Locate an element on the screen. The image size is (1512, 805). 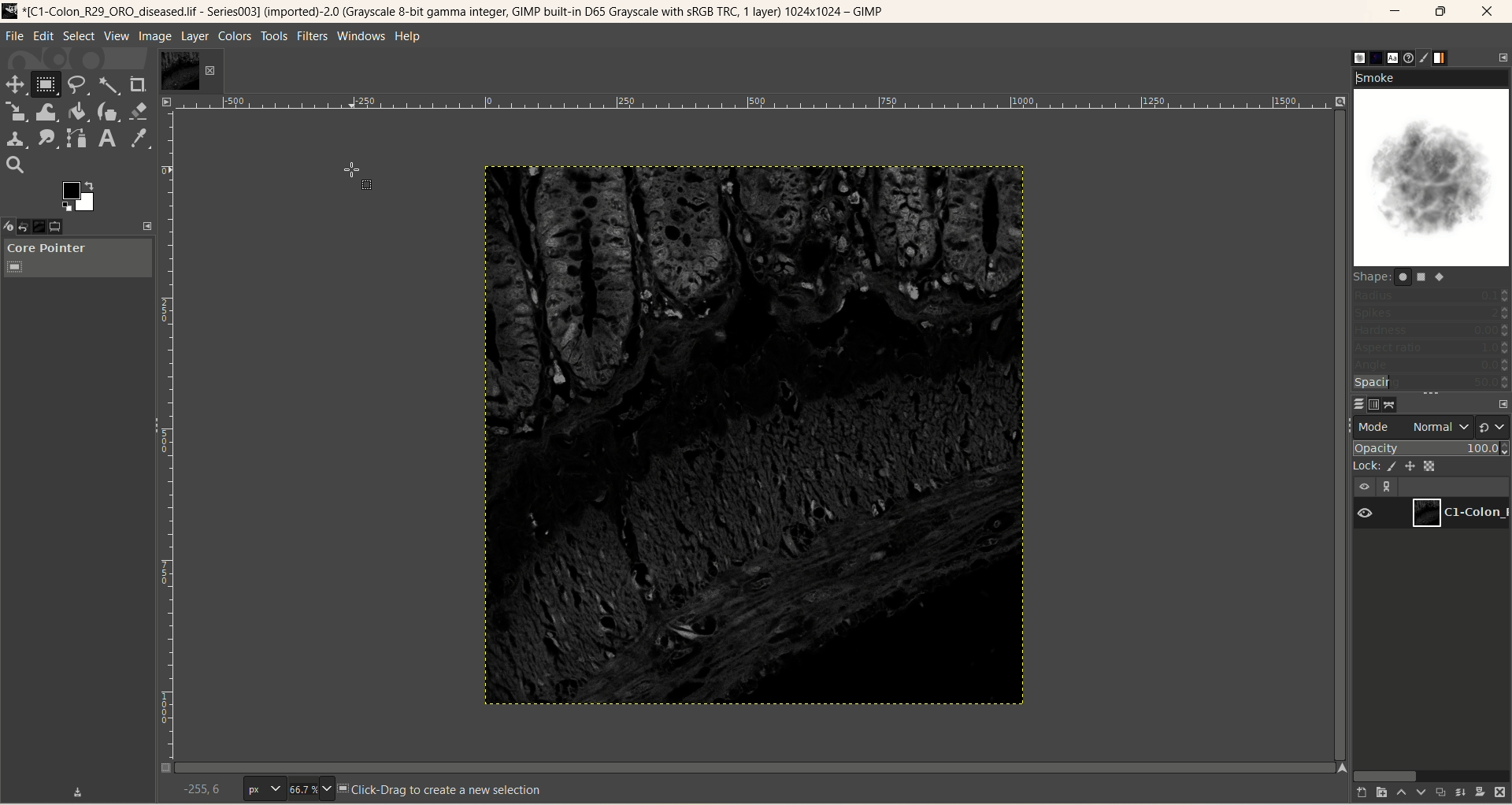
smudge tool is located at coordinates (48, 138).